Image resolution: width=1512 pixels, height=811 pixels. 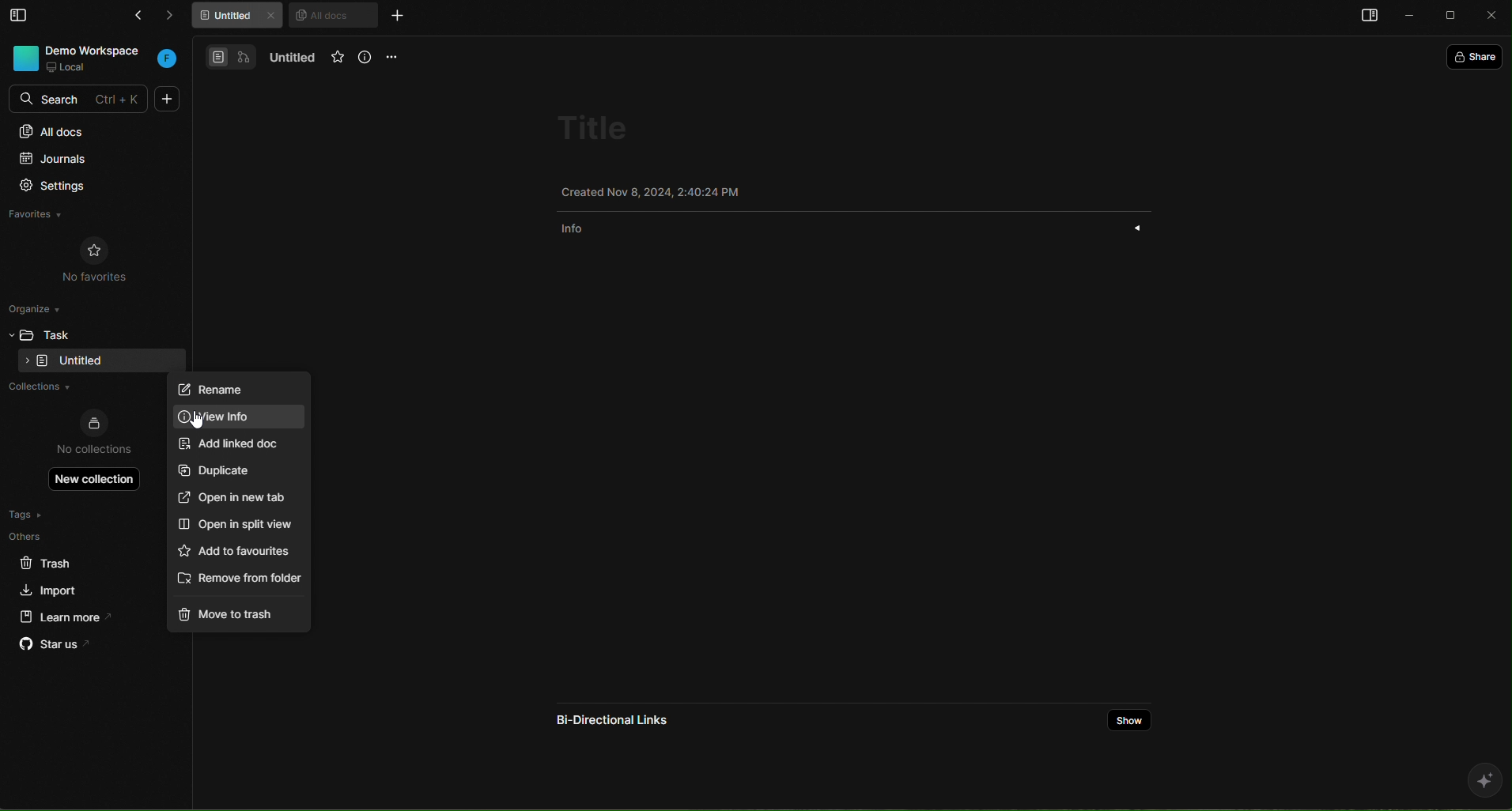 What do you see at coordinates (231, 56) in the screenshot?
I see `docs` at bounding box center [231, 56].